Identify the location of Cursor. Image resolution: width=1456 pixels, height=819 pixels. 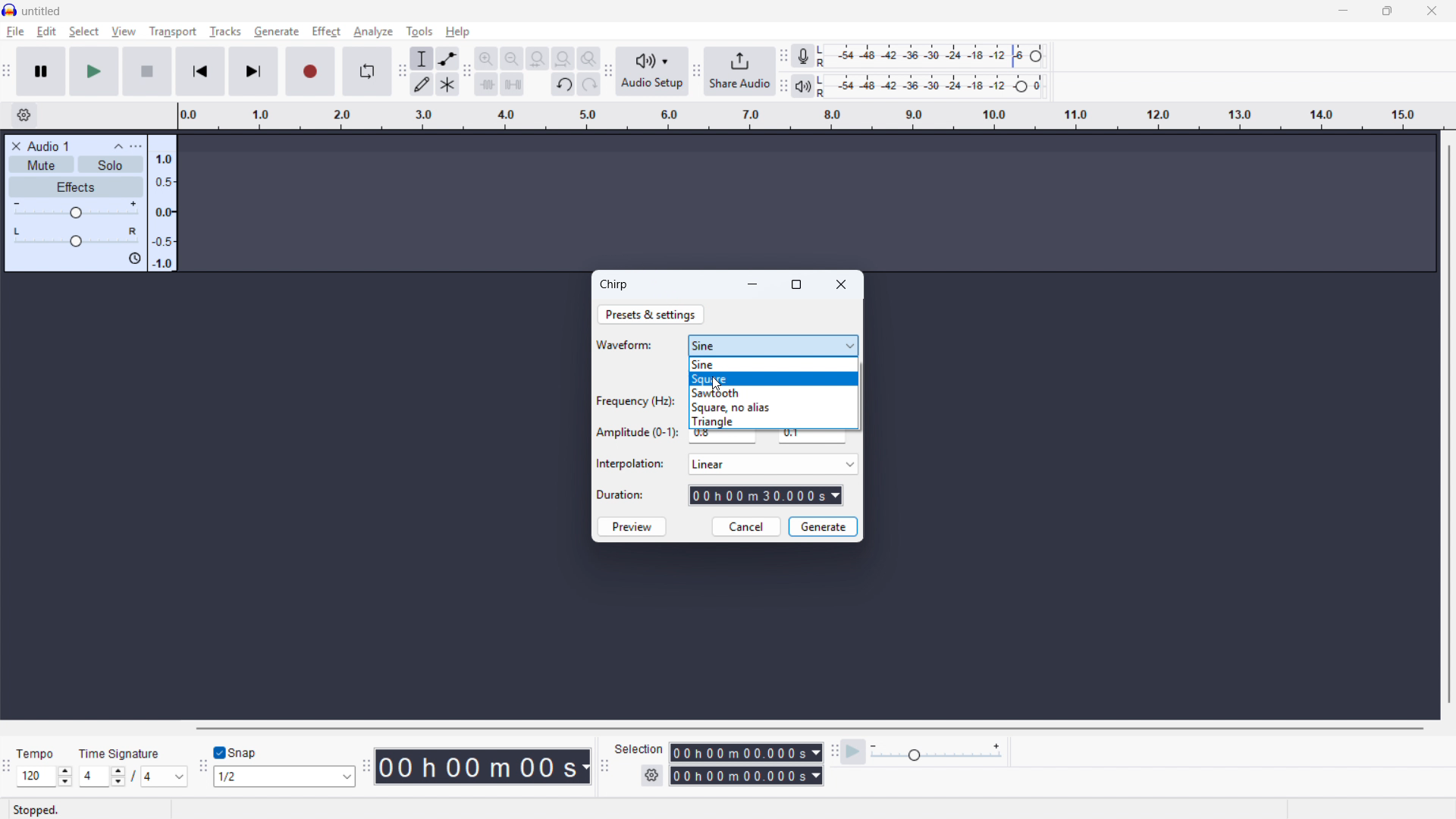
(717, 386).